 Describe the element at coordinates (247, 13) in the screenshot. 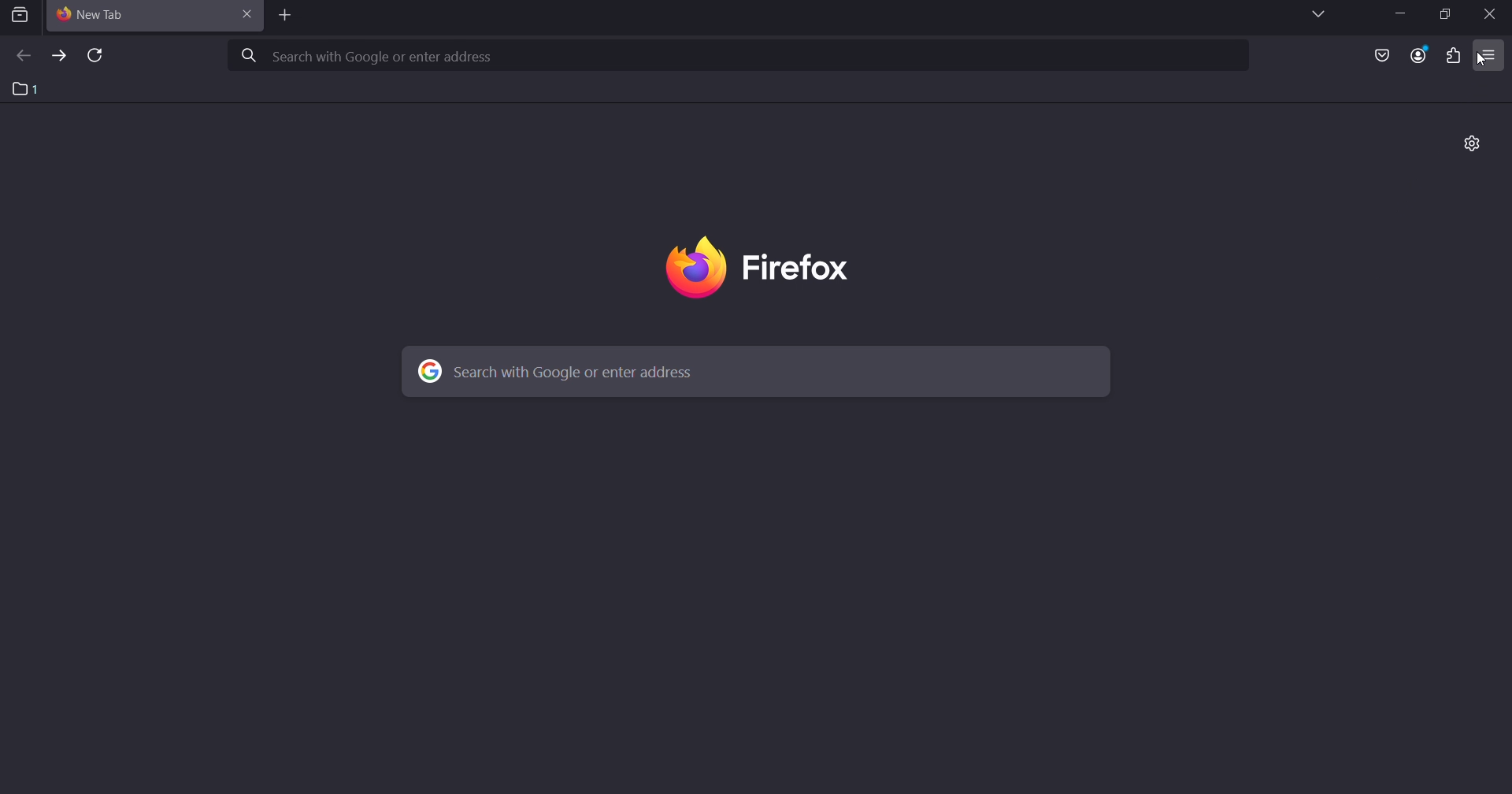

I see `close` at that location.